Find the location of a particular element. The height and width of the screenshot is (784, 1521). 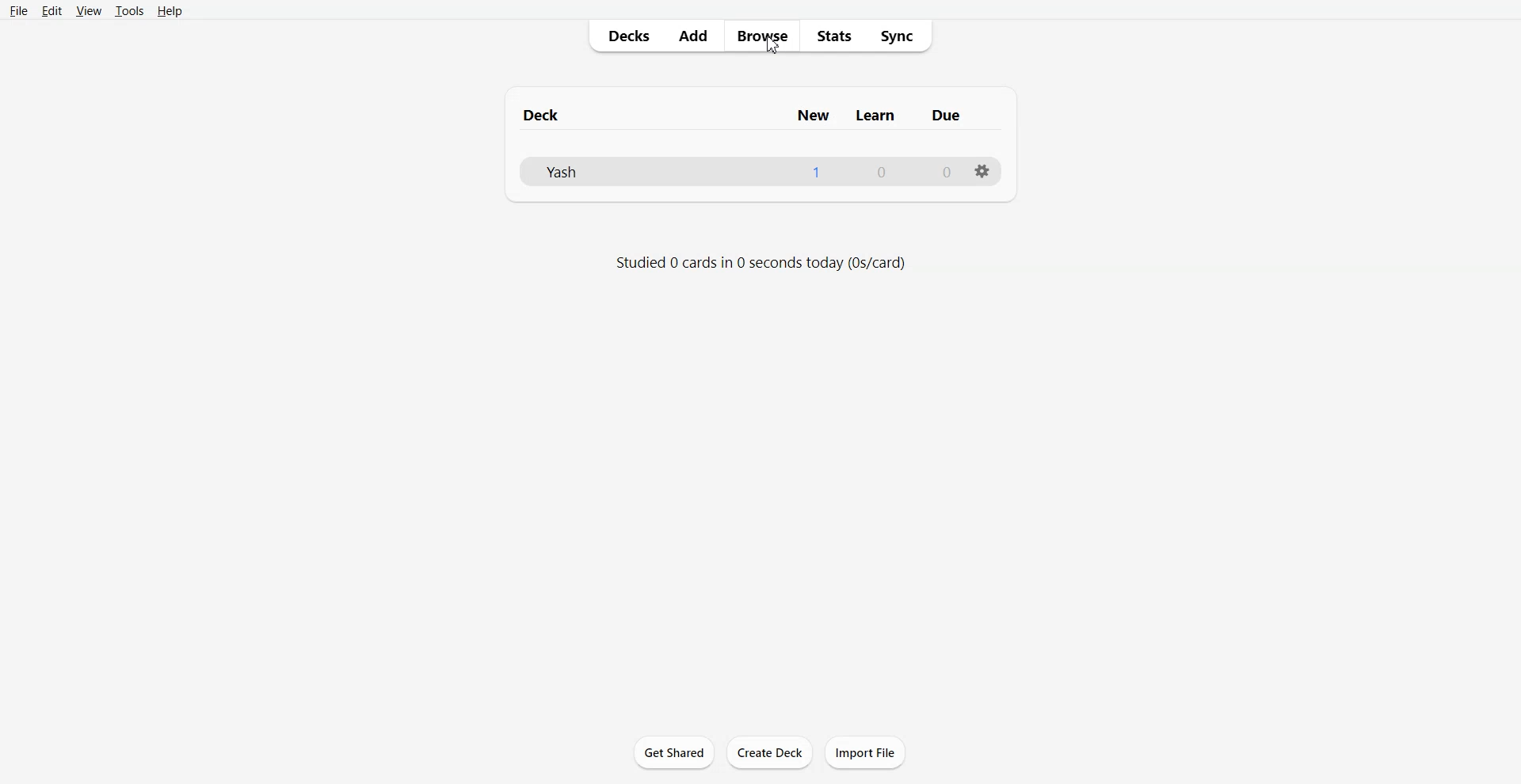

View is located at coordinates (88, 10).